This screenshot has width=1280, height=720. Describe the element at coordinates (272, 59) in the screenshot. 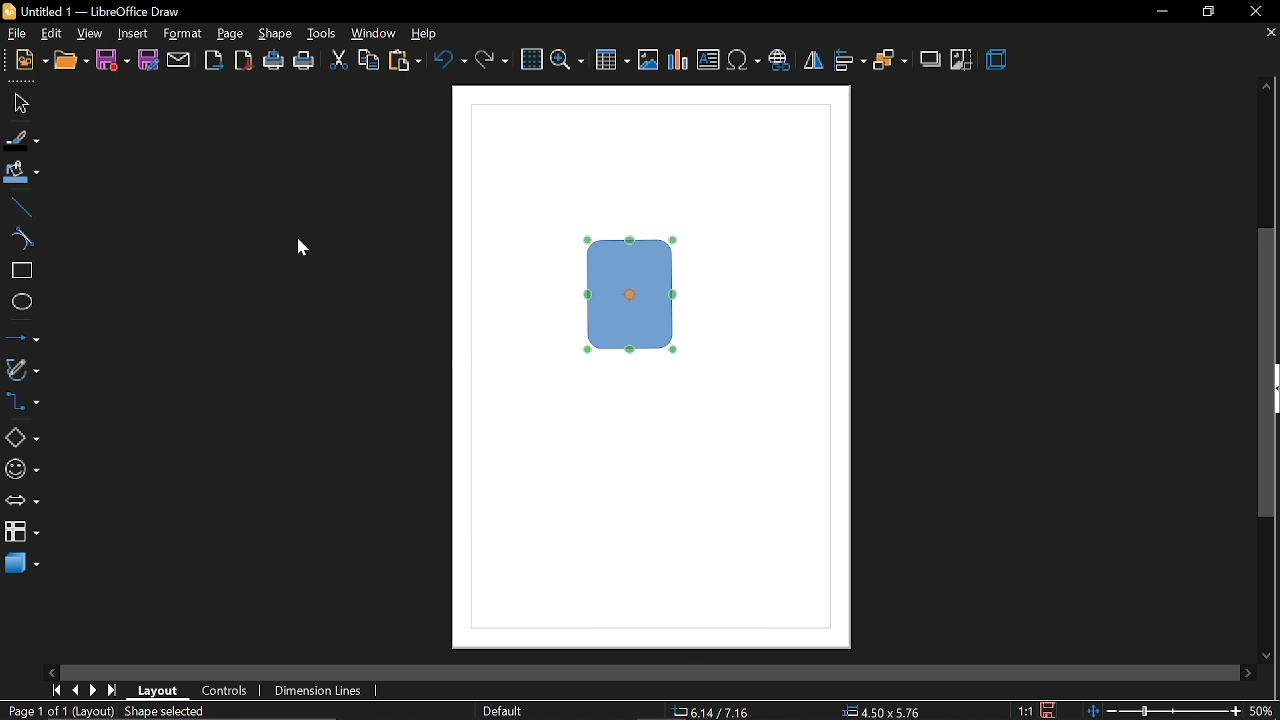

I see `print directly` at that location.